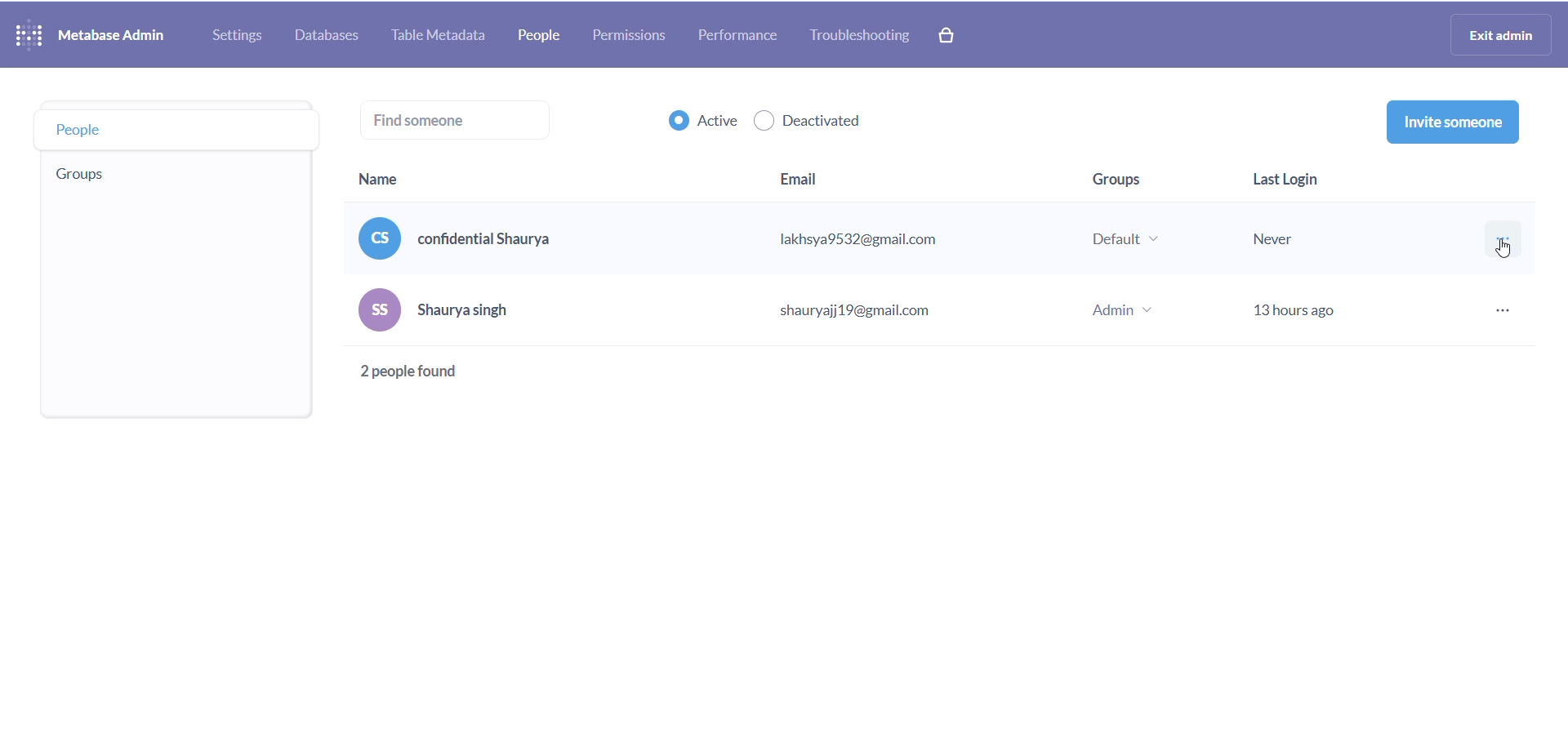  I want to click on last login stats, so click(1316, 240).